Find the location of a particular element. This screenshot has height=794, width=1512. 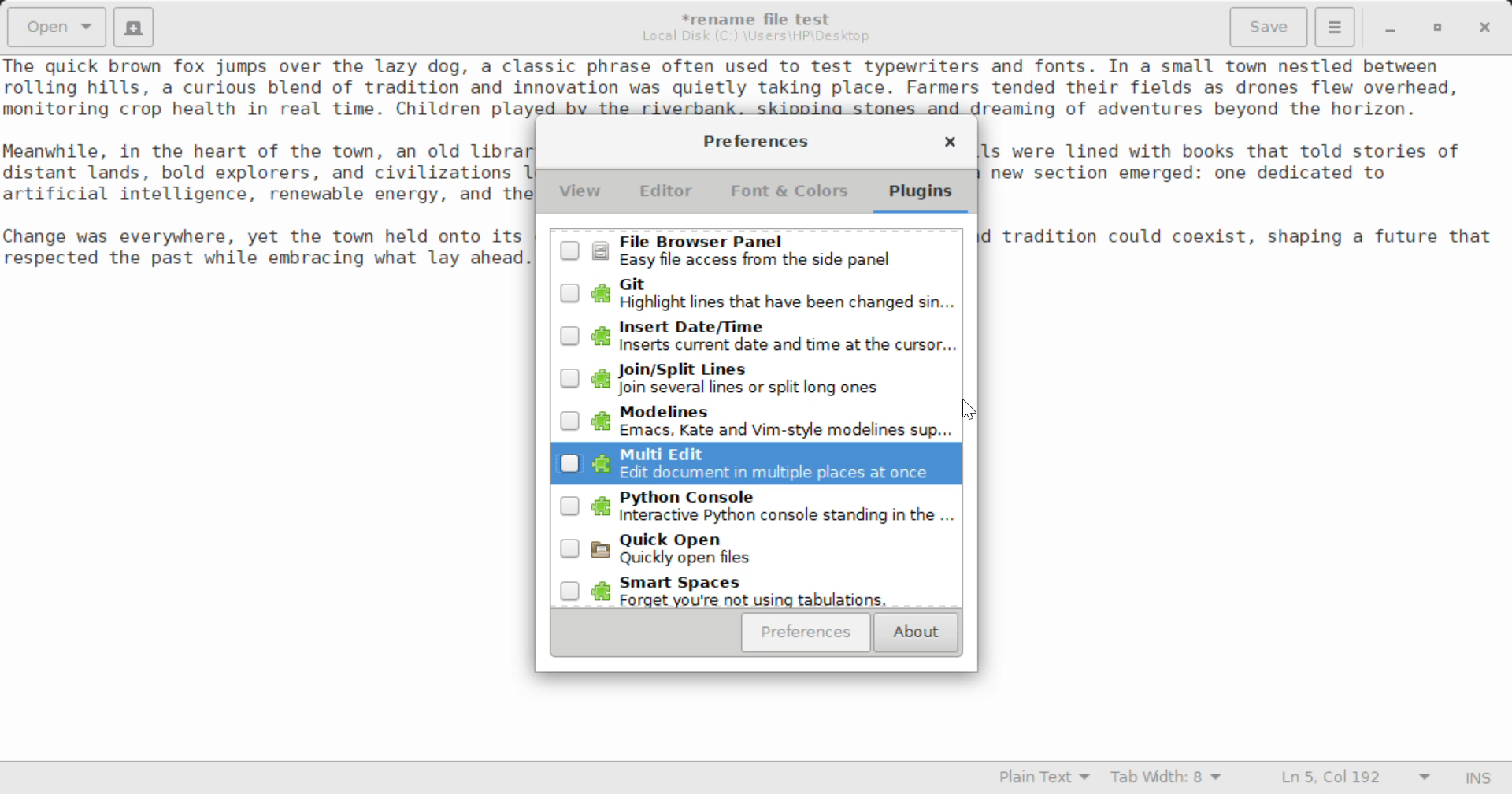

Line & Character Count is located at coordinates (1356, 779).